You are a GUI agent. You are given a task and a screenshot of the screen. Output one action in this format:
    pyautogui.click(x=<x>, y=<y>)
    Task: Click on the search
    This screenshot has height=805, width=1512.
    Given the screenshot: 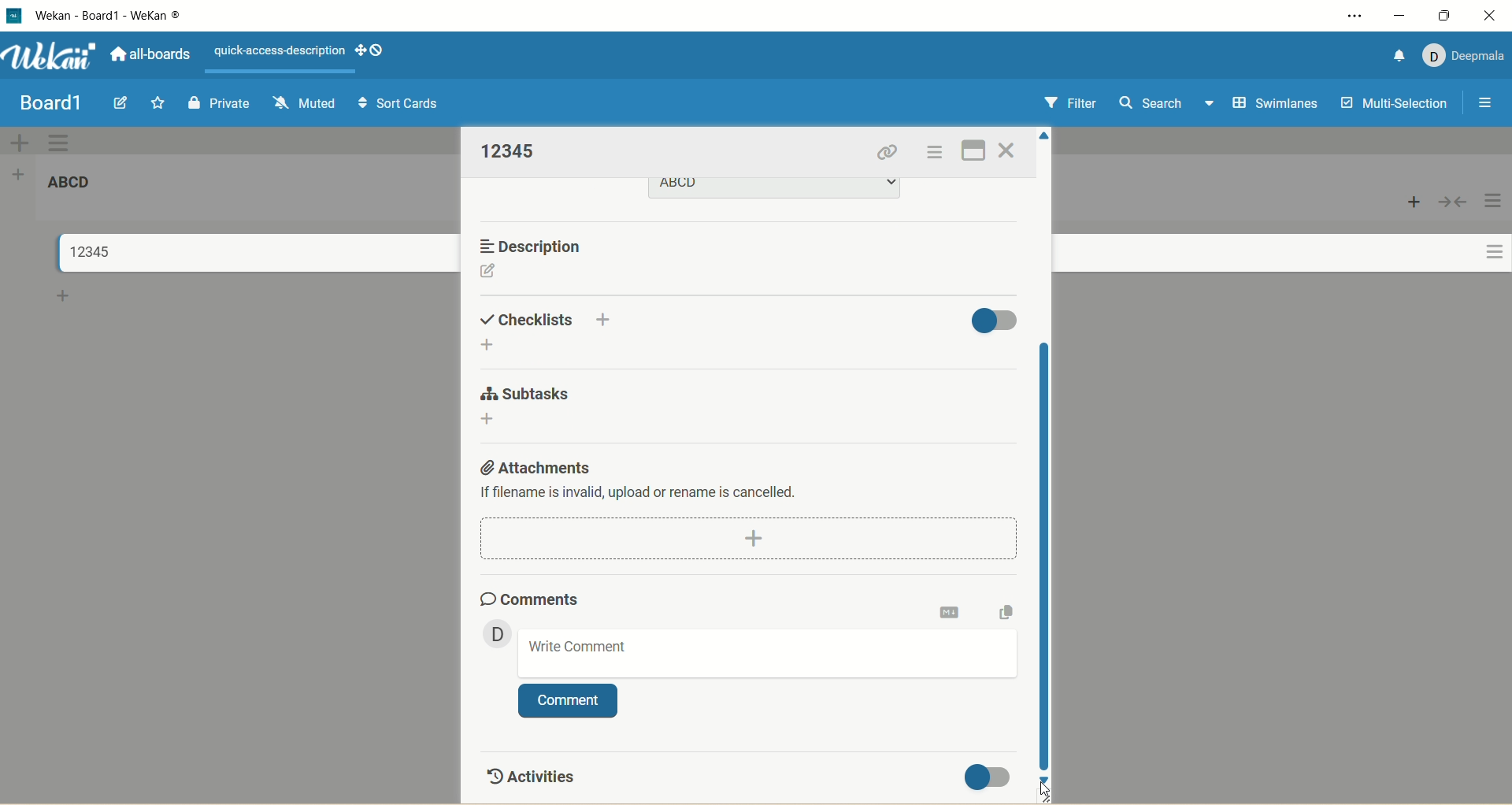 What is the action you would take?
    pyautogui.click(x=1166, y=105)
    